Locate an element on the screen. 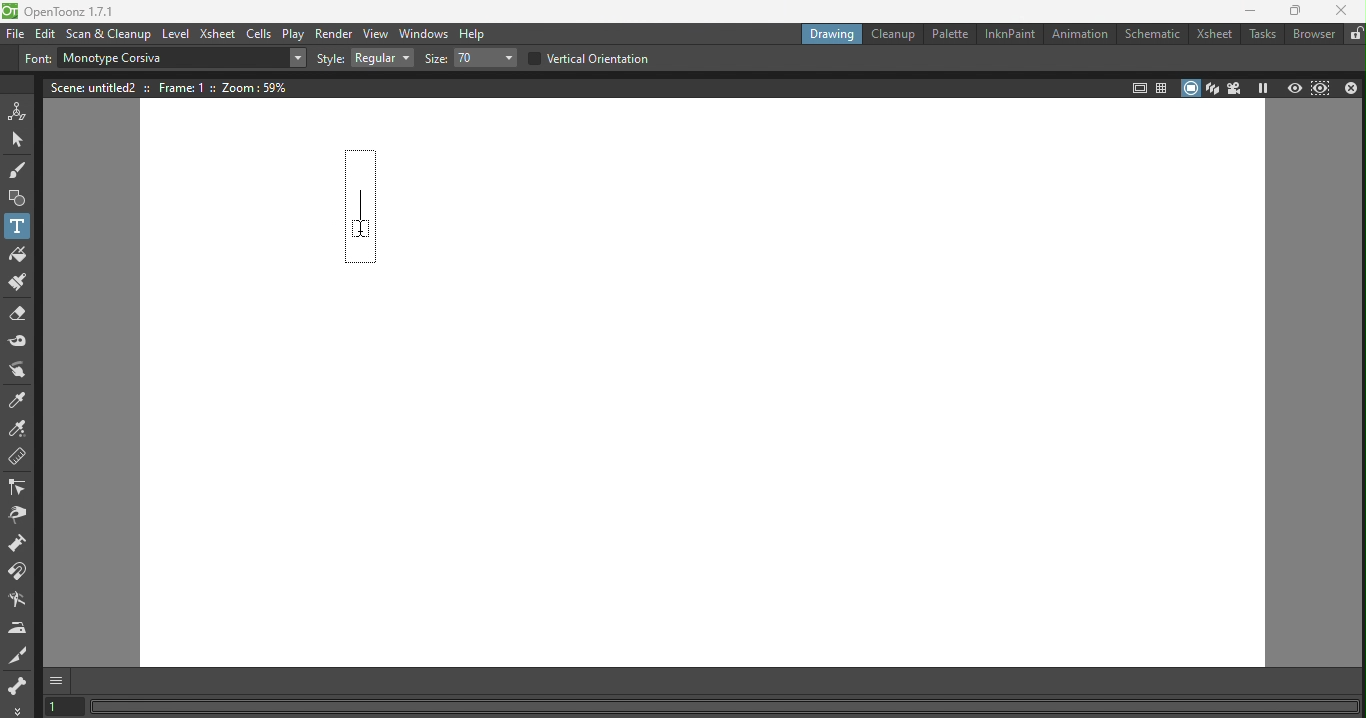 The height and width of the screenshot is (718, 1366). File name is located at coordinates (84, 11).